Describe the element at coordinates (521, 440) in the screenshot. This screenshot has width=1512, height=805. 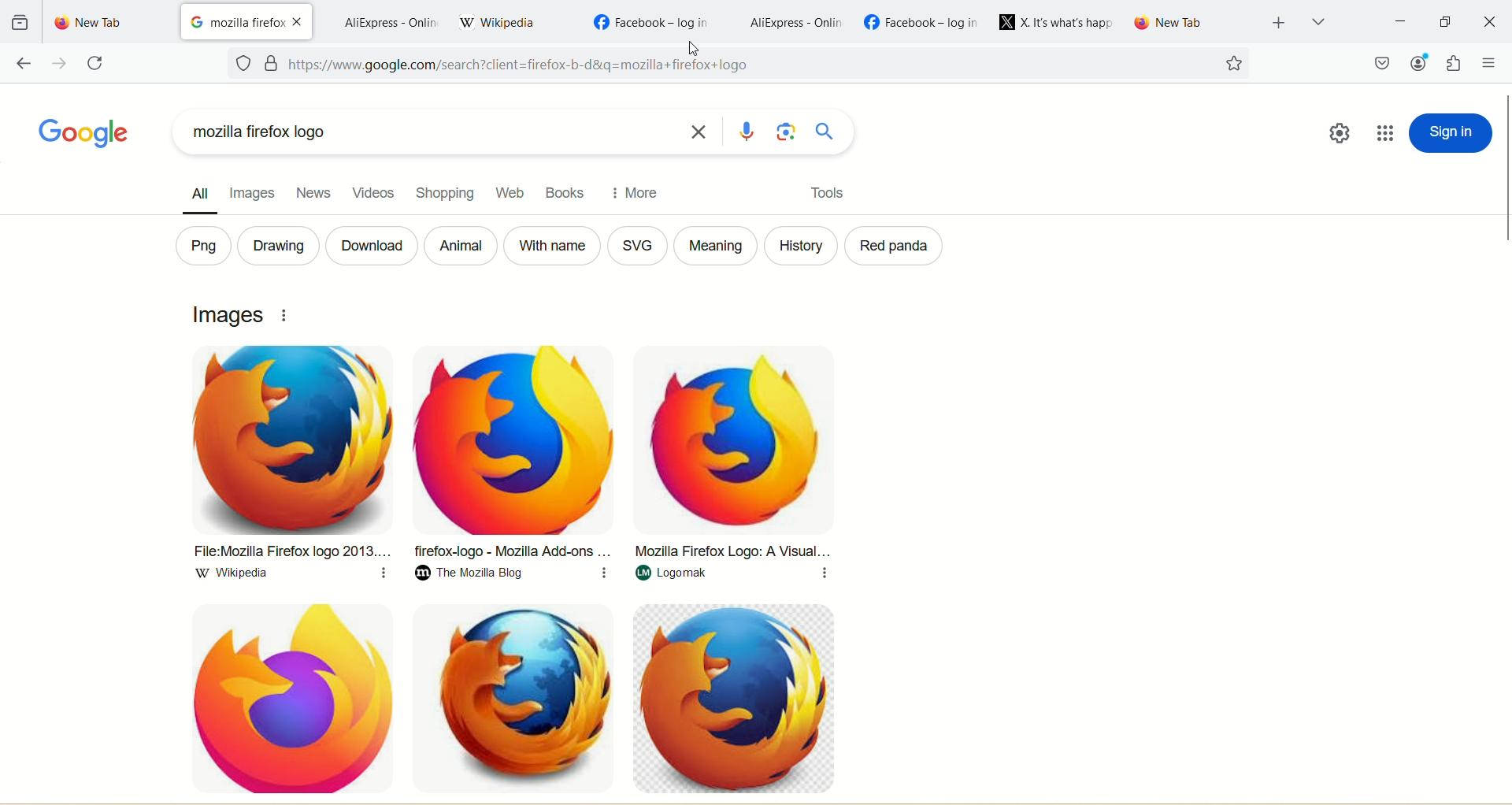
I see `Image` at that location.